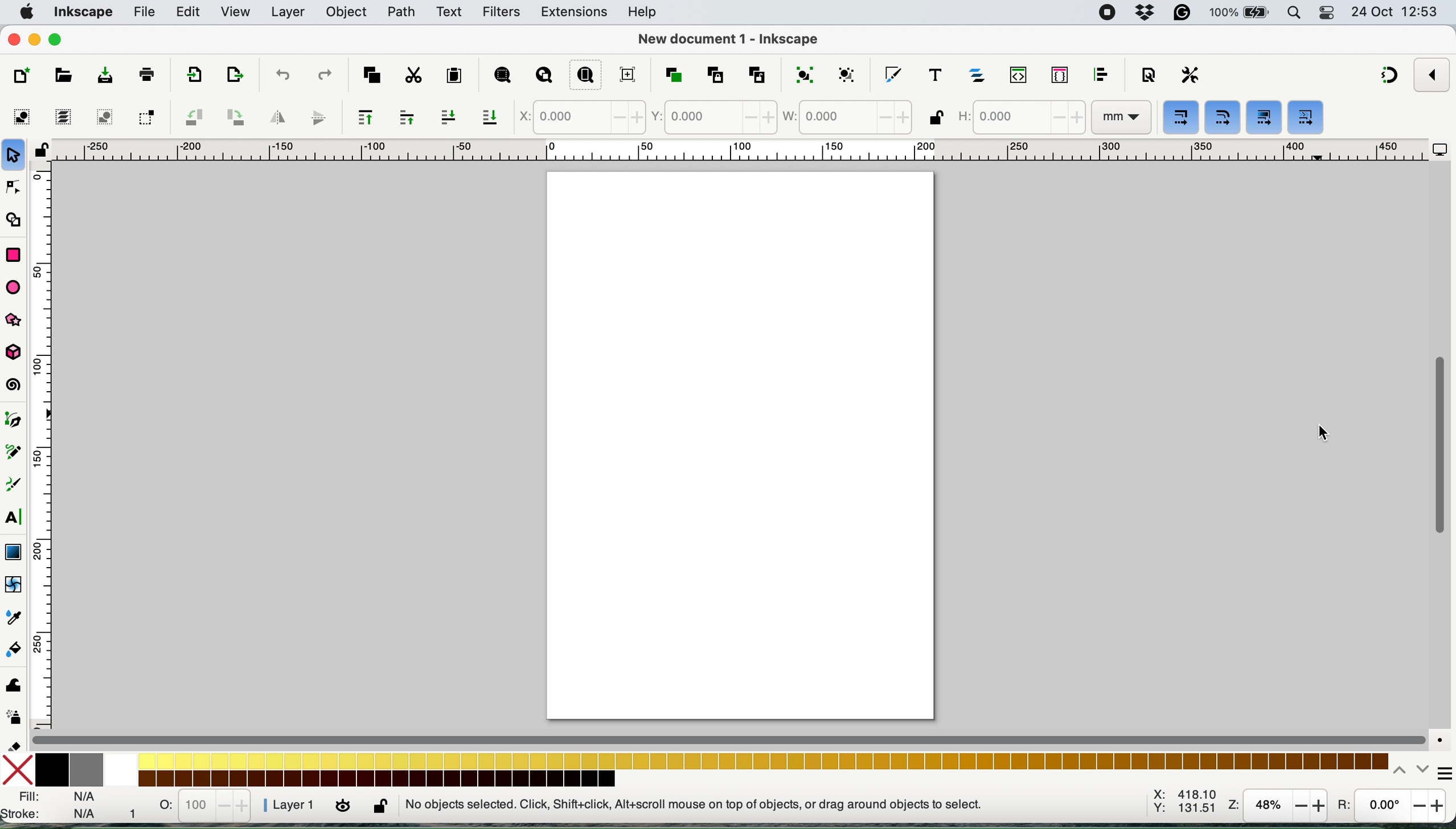  I want to click on selectors and css, so click(1059, 76).